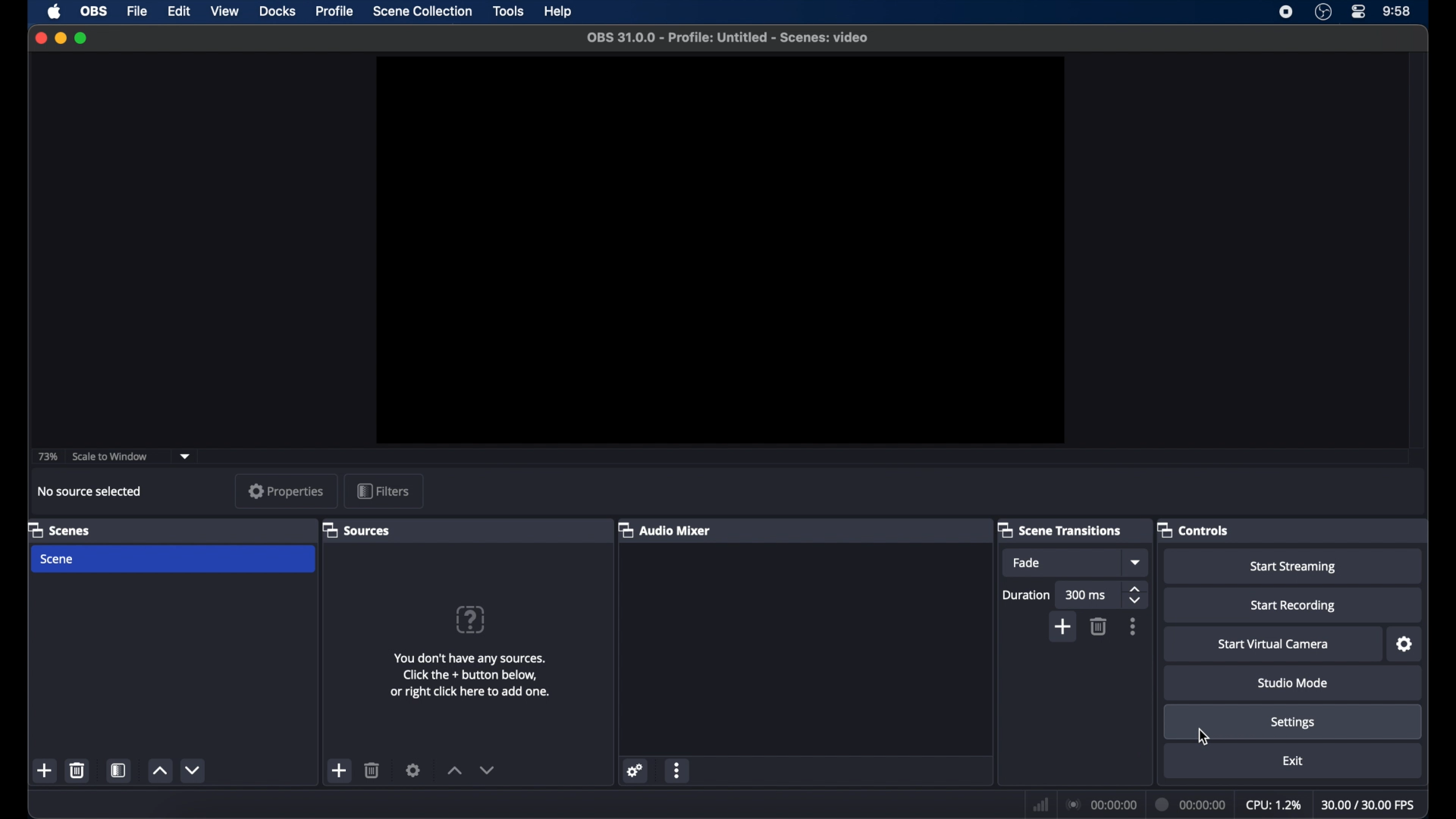  I want to click on close, so click(40, 38).